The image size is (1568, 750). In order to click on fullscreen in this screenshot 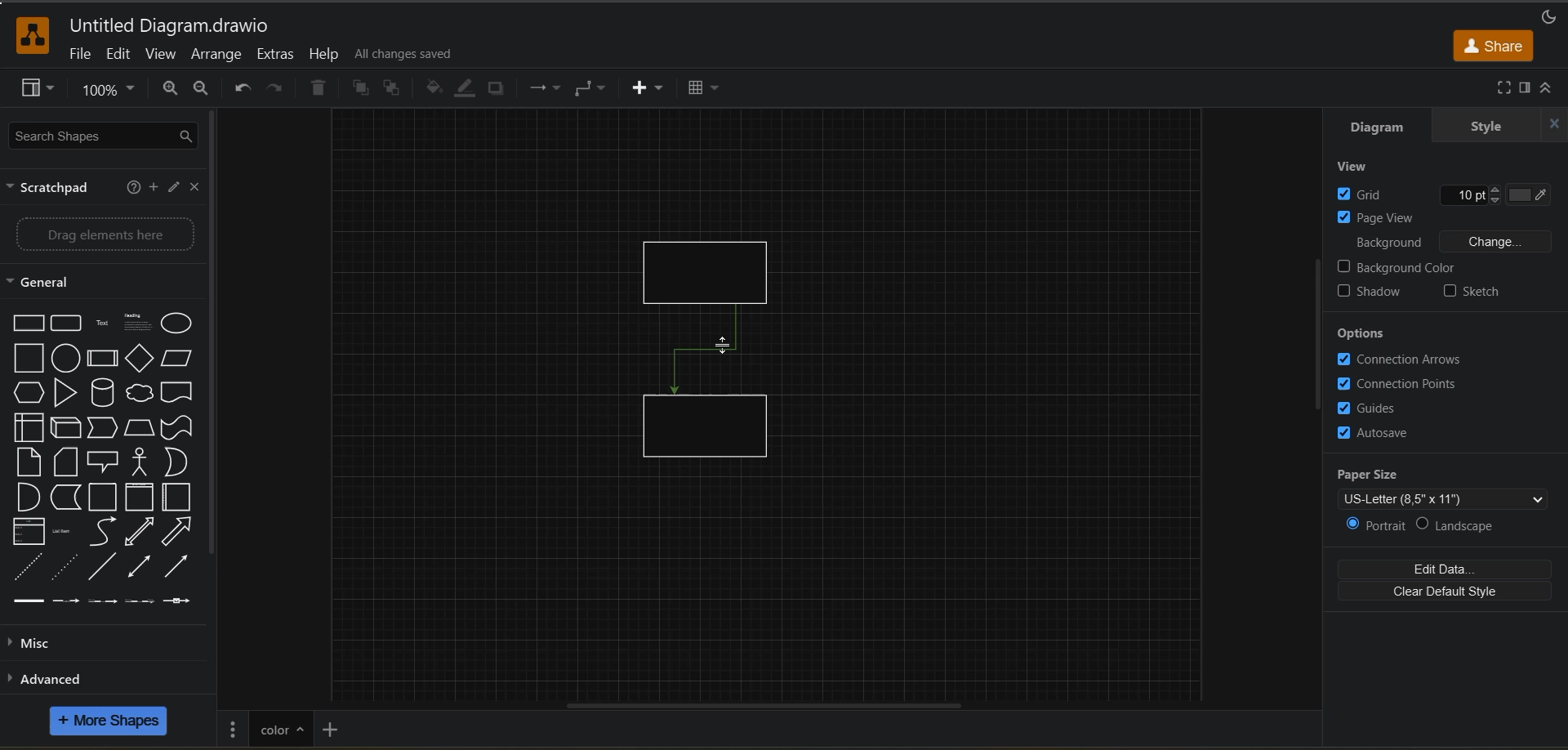, I will do `click(1499, 87)`.